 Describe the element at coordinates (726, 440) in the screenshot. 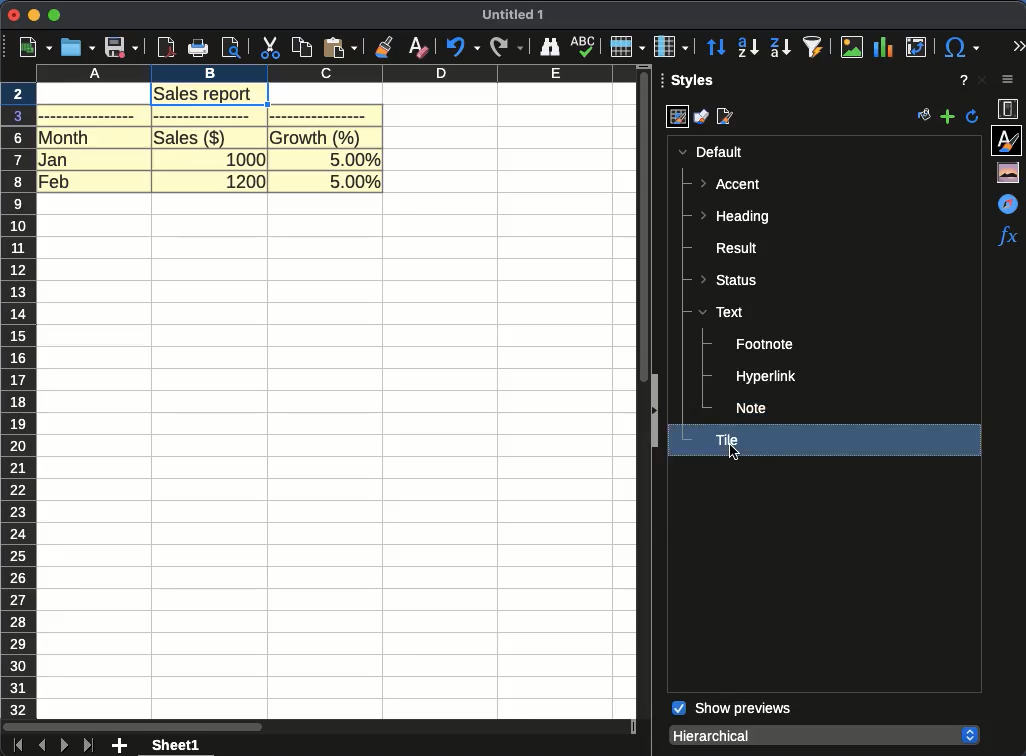

I see `tile` at that location.